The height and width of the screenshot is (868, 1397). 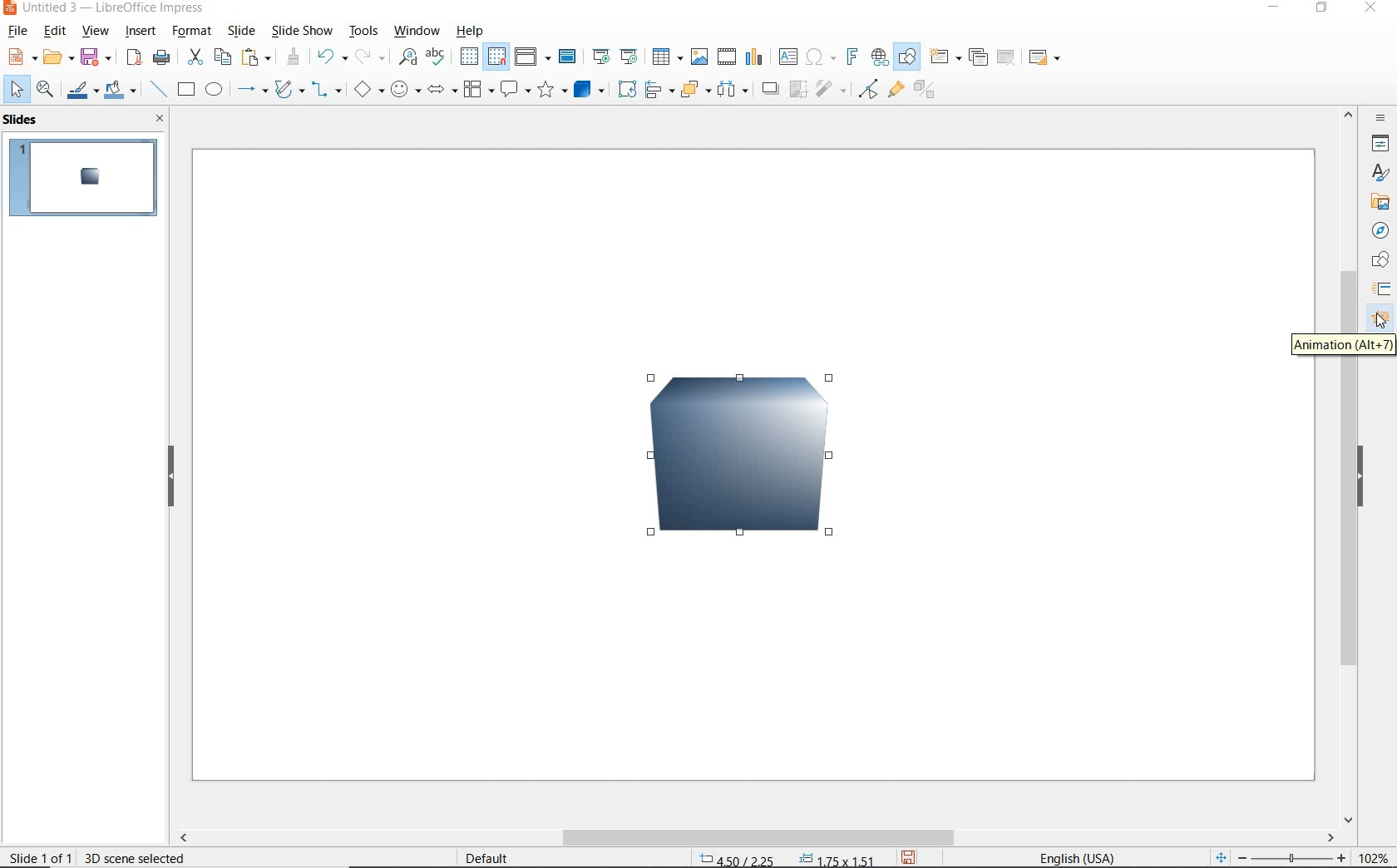 I want to click on NAVIGATOR, so click(x=1380, y=231).